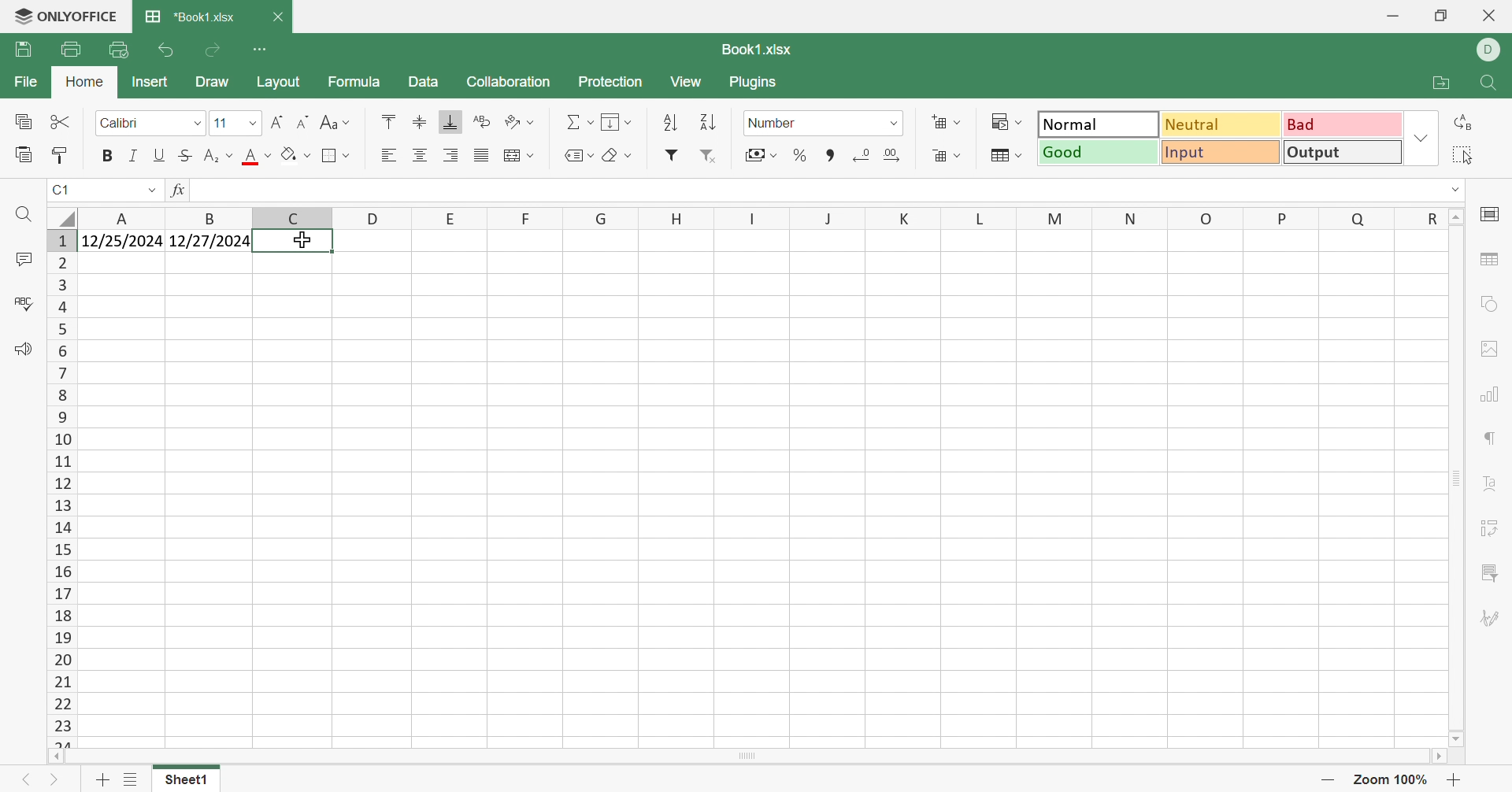 The image size is (1512, 792). Describe the element at coordinates (1443, 83) in the screenshot. I see `Open file location` at that location.